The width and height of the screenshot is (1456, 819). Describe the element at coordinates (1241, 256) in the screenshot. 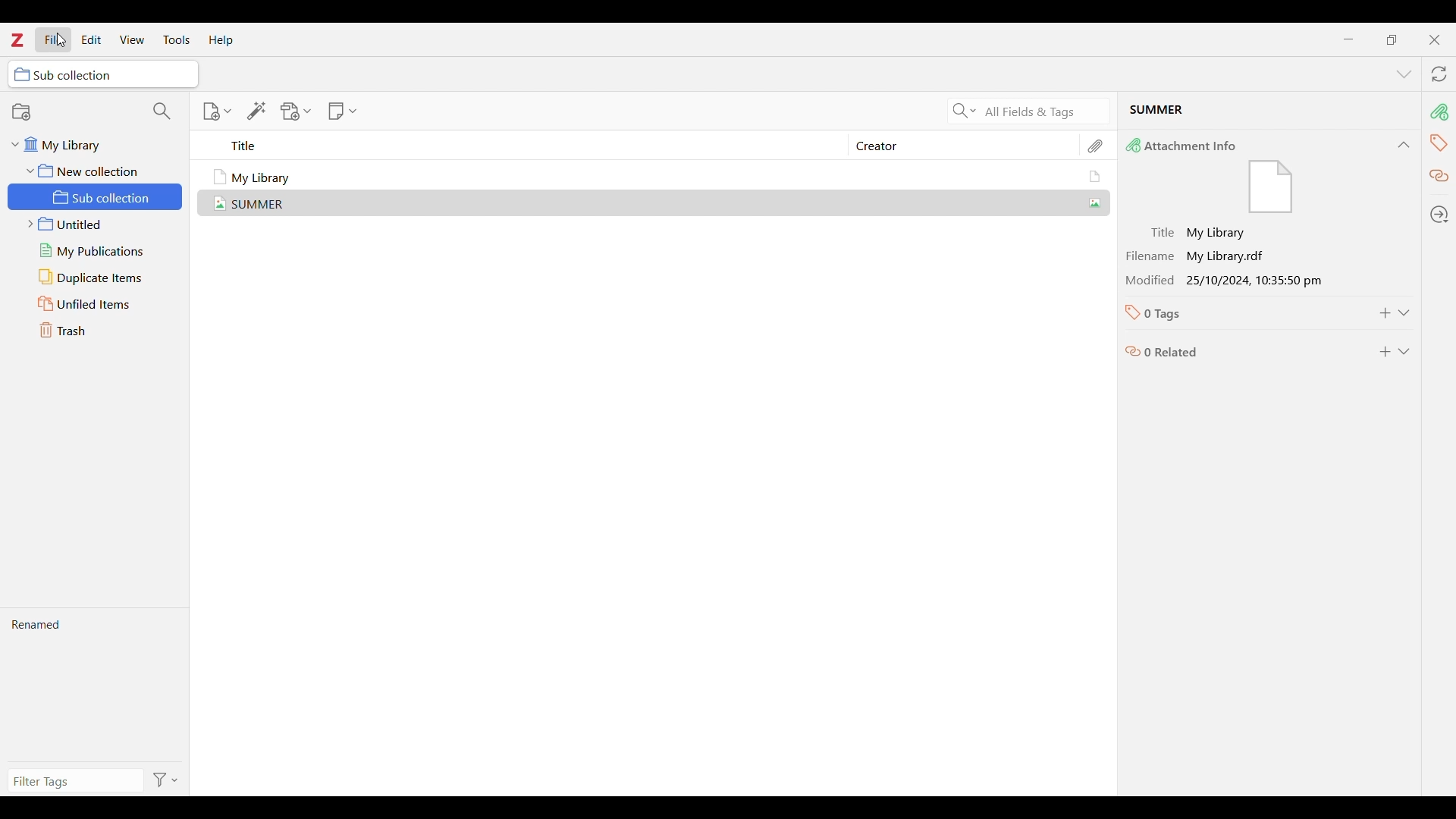

I see `Filename : My library.rdf` at that location.